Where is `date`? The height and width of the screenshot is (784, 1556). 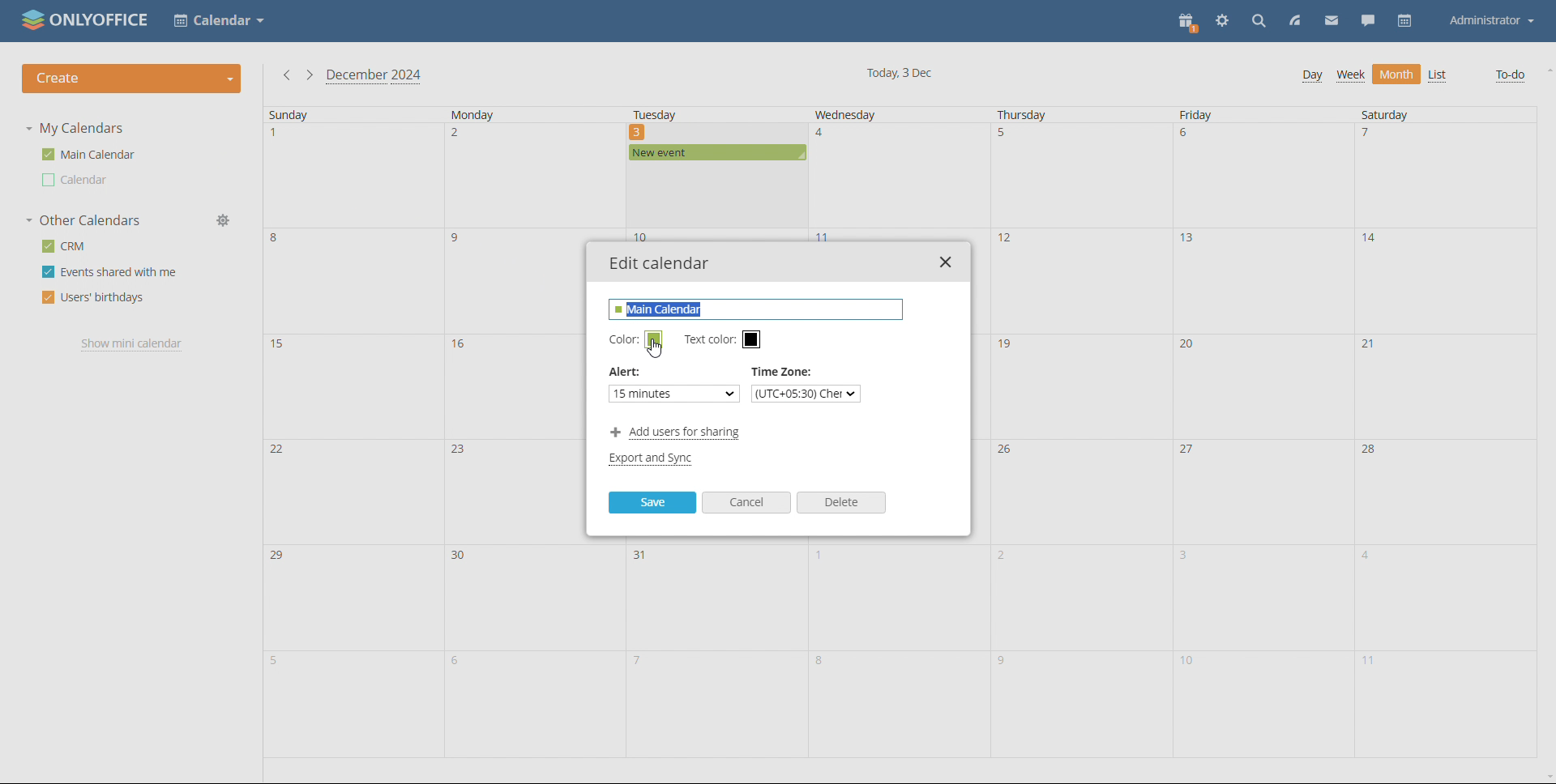 date is located at coordinates (1445, 597).